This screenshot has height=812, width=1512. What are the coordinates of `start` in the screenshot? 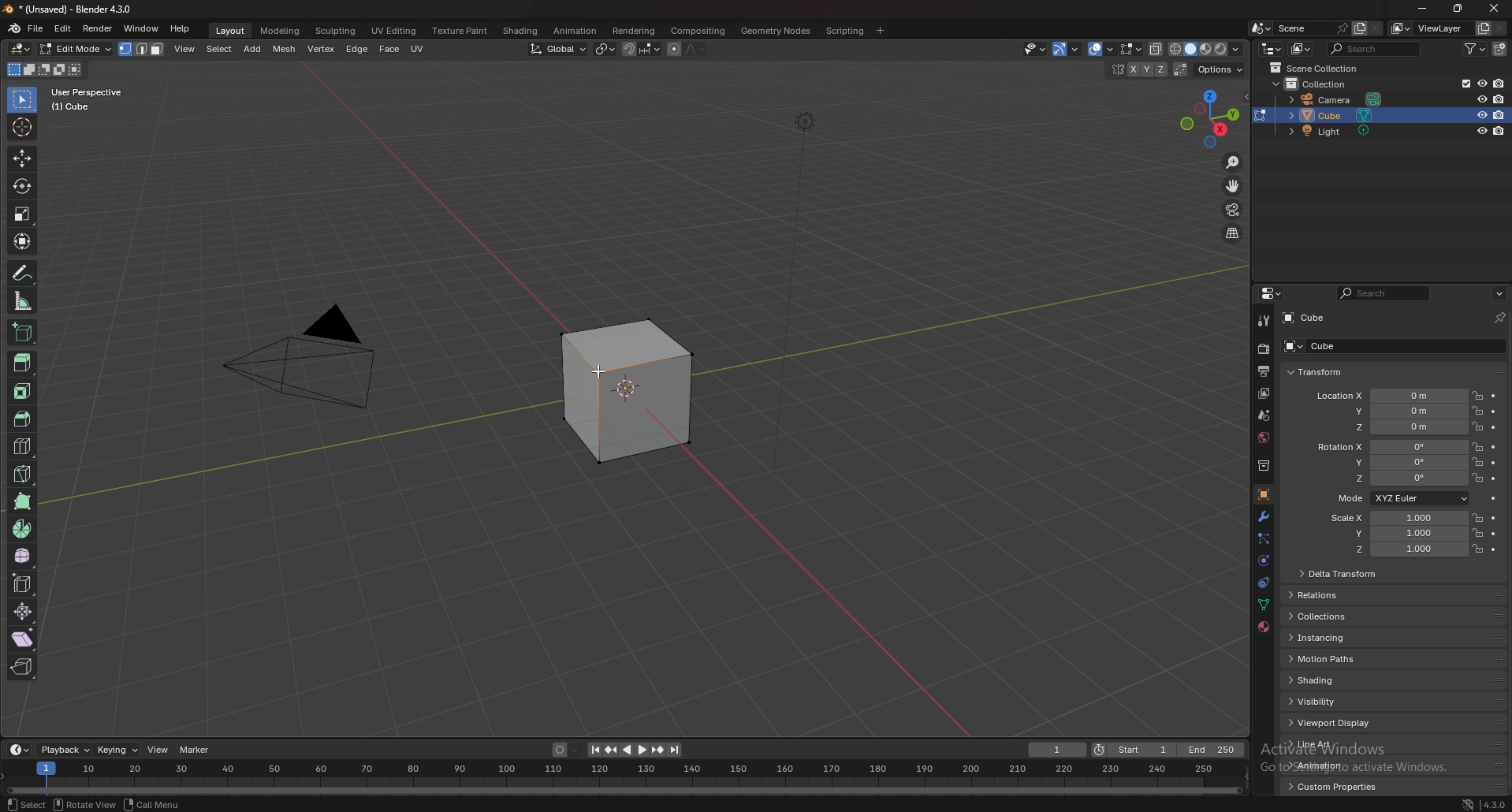 It's located at (1131, 750).